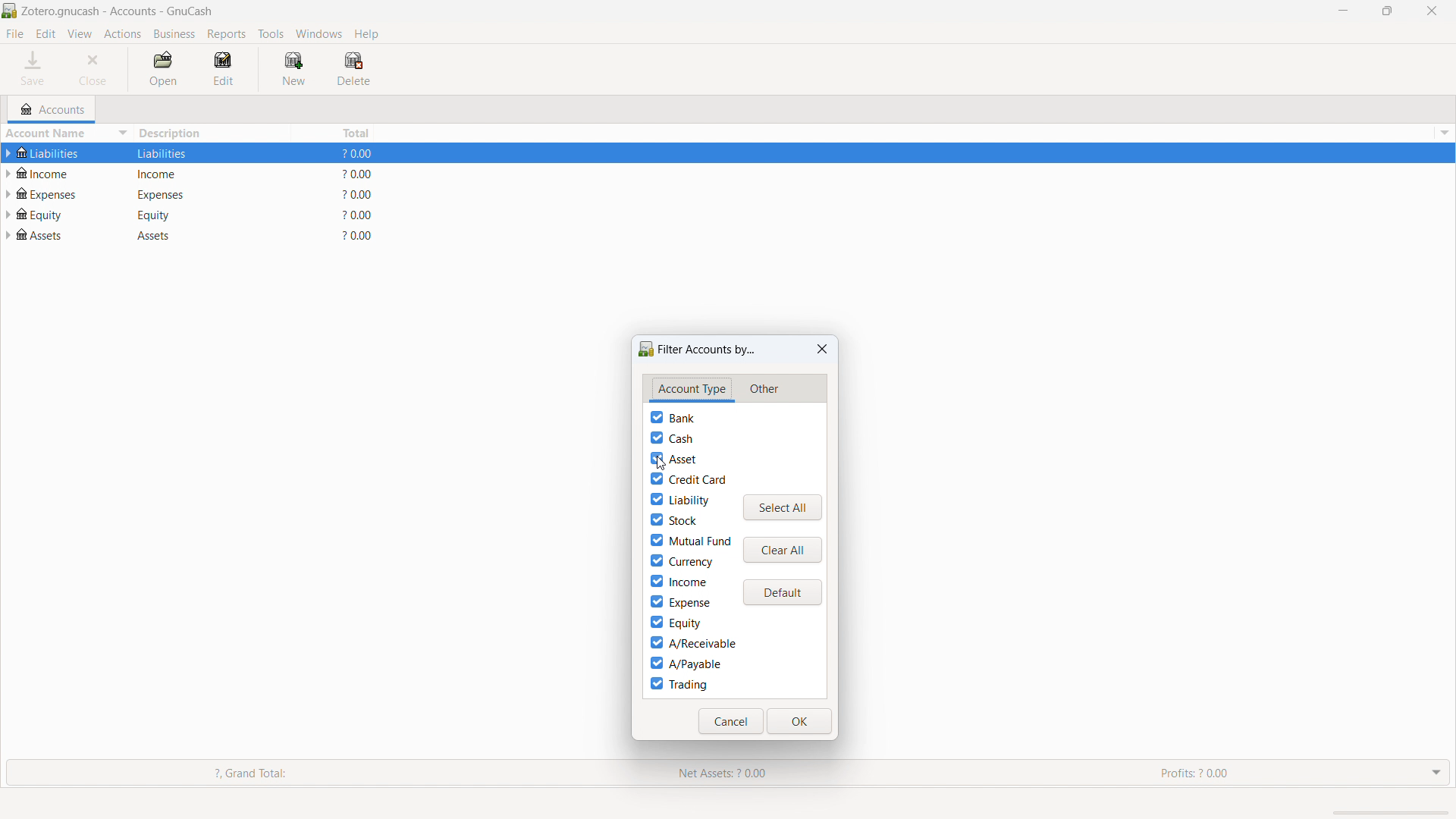  What do you see at coordinates (679, 499) in the screenshot?
I see `liability` at bounding box center [679, 499].